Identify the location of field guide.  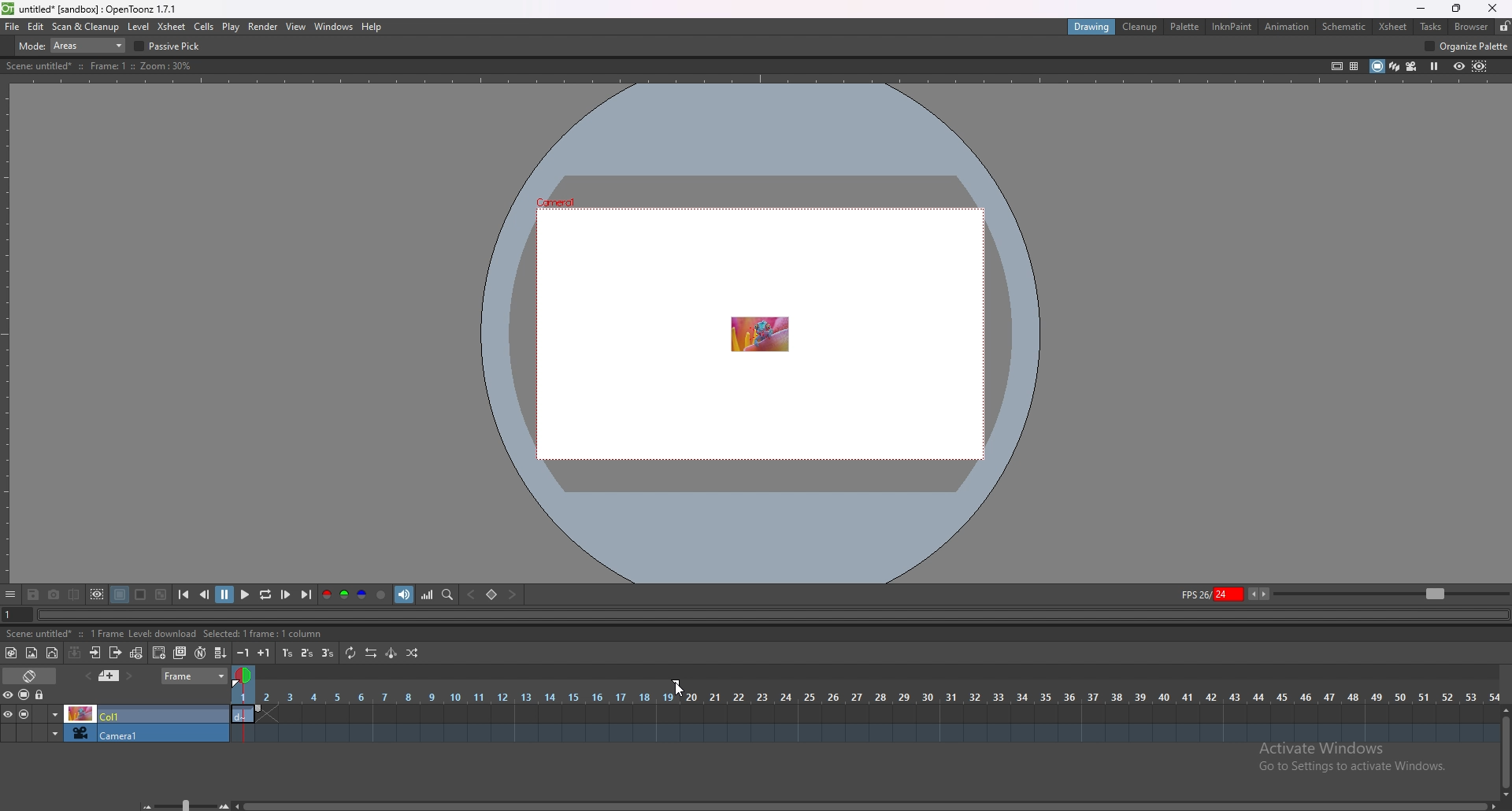
(1354, 67).